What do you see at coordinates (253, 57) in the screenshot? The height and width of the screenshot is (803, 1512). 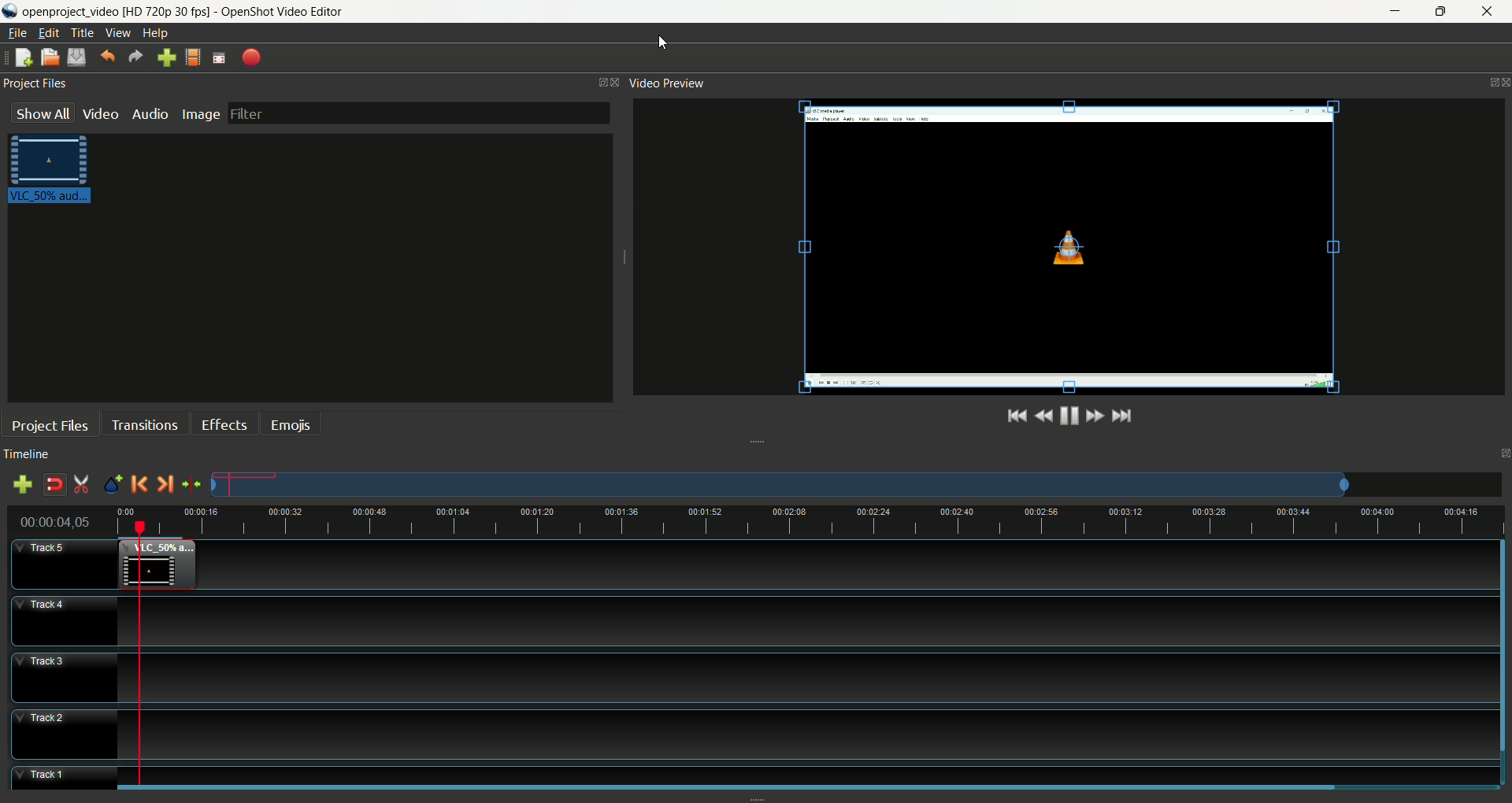 I see `export video` at bounding box center [253, 57].